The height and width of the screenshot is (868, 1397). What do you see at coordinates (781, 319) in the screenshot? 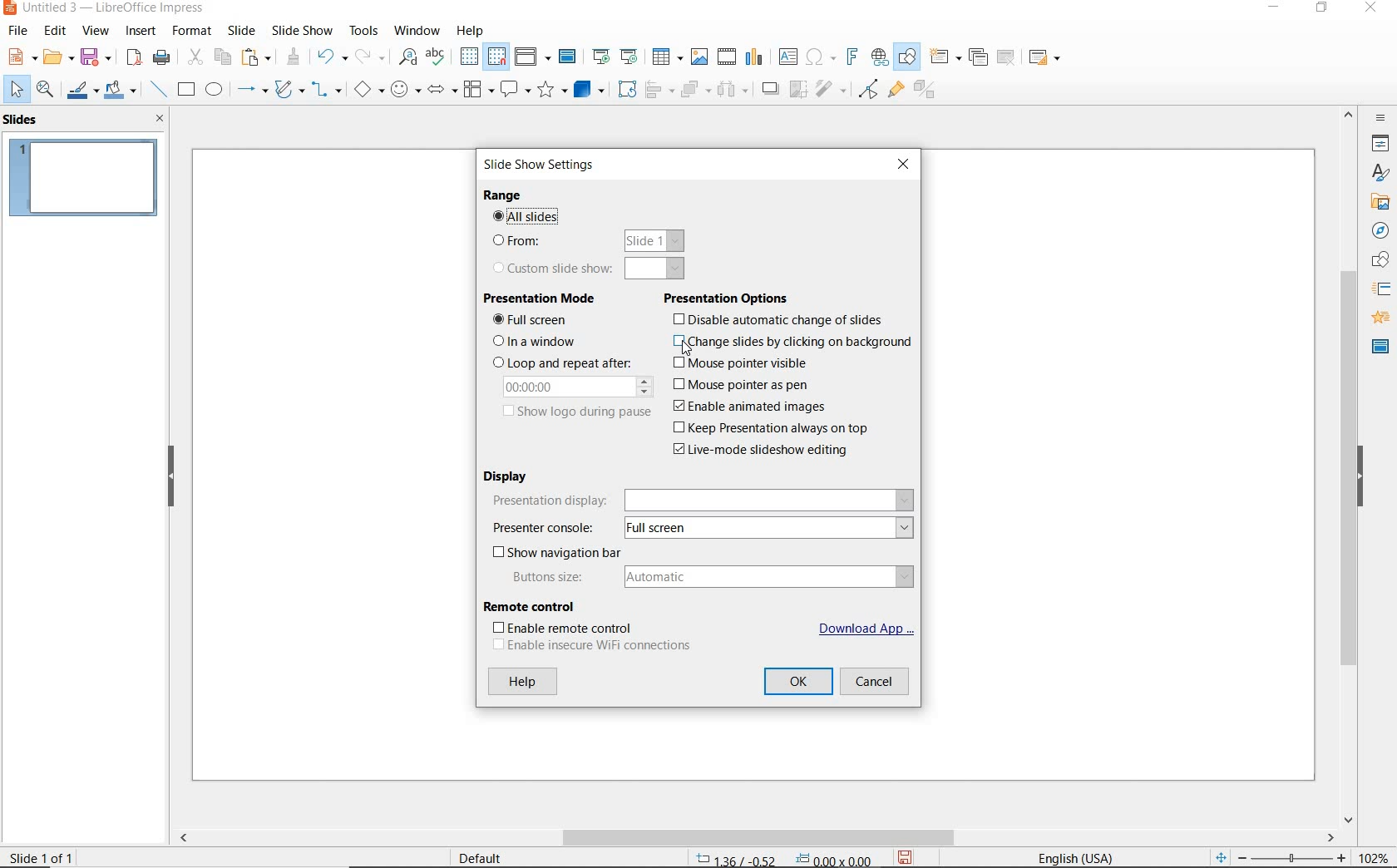
I see `disable automatic change of slides` at bounding box center [781, 319].